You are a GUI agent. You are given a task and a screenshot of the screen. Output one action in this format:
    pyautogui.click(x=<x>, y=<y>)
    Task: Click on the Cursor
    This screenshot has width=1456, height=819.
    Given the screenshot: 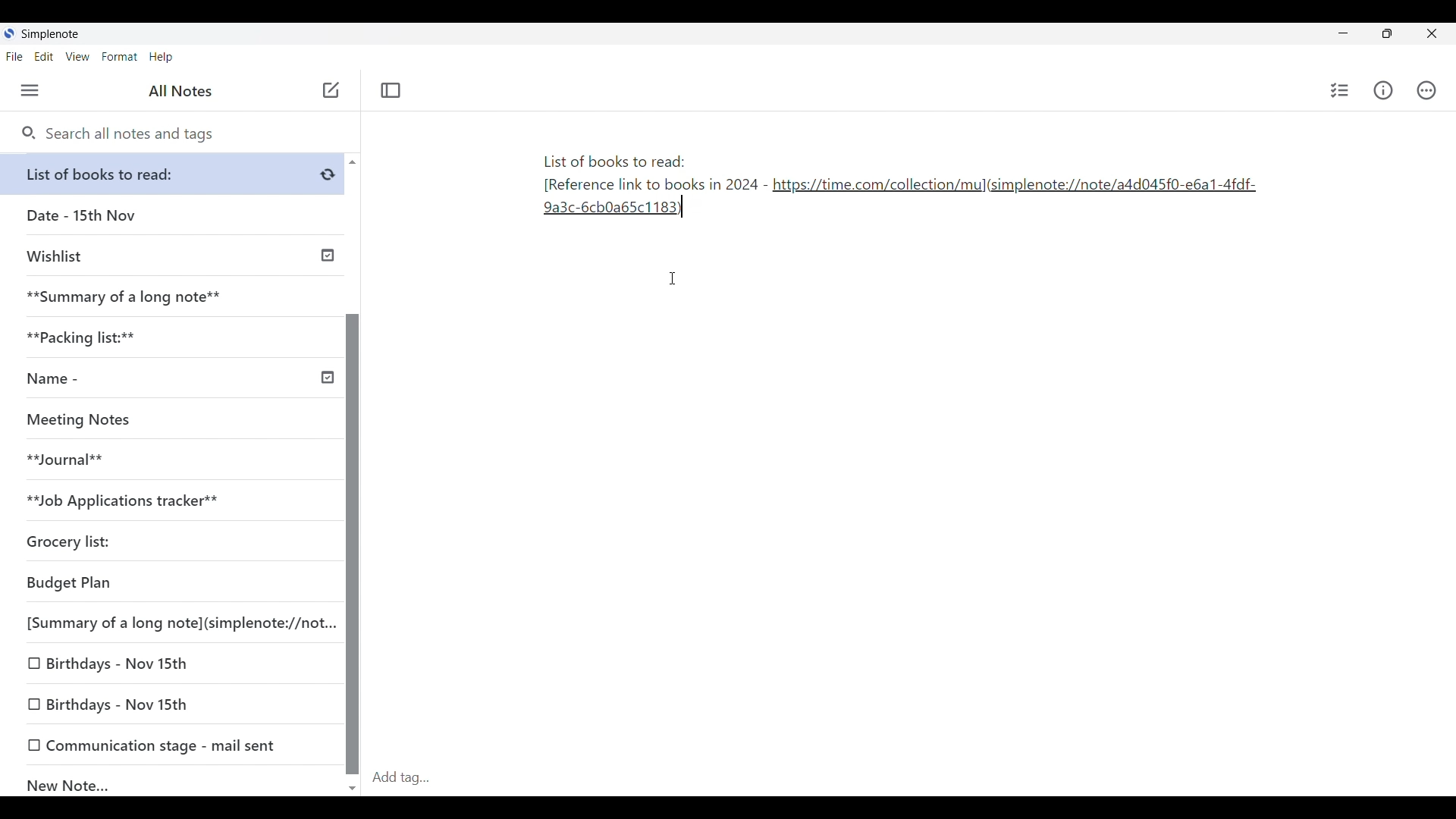 What is the action you would take?
    pyautogui.click(x=674, y=278)
    